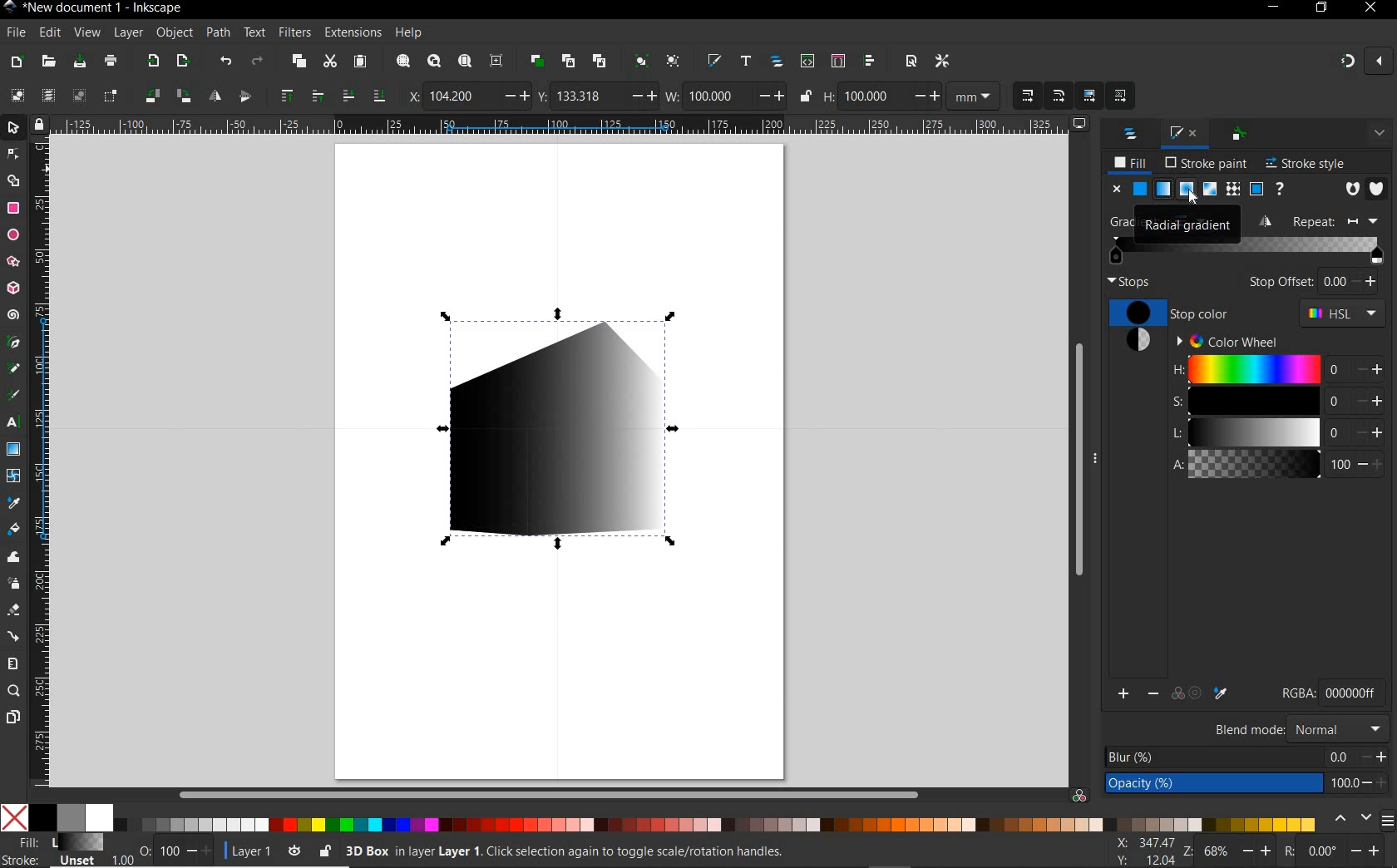 The width and height of the screenshot is (1397, 868). What do you see at coordinates (12, 476) in the screenshot?
I see `MESH TOOL` at bounding box center [12, 476].